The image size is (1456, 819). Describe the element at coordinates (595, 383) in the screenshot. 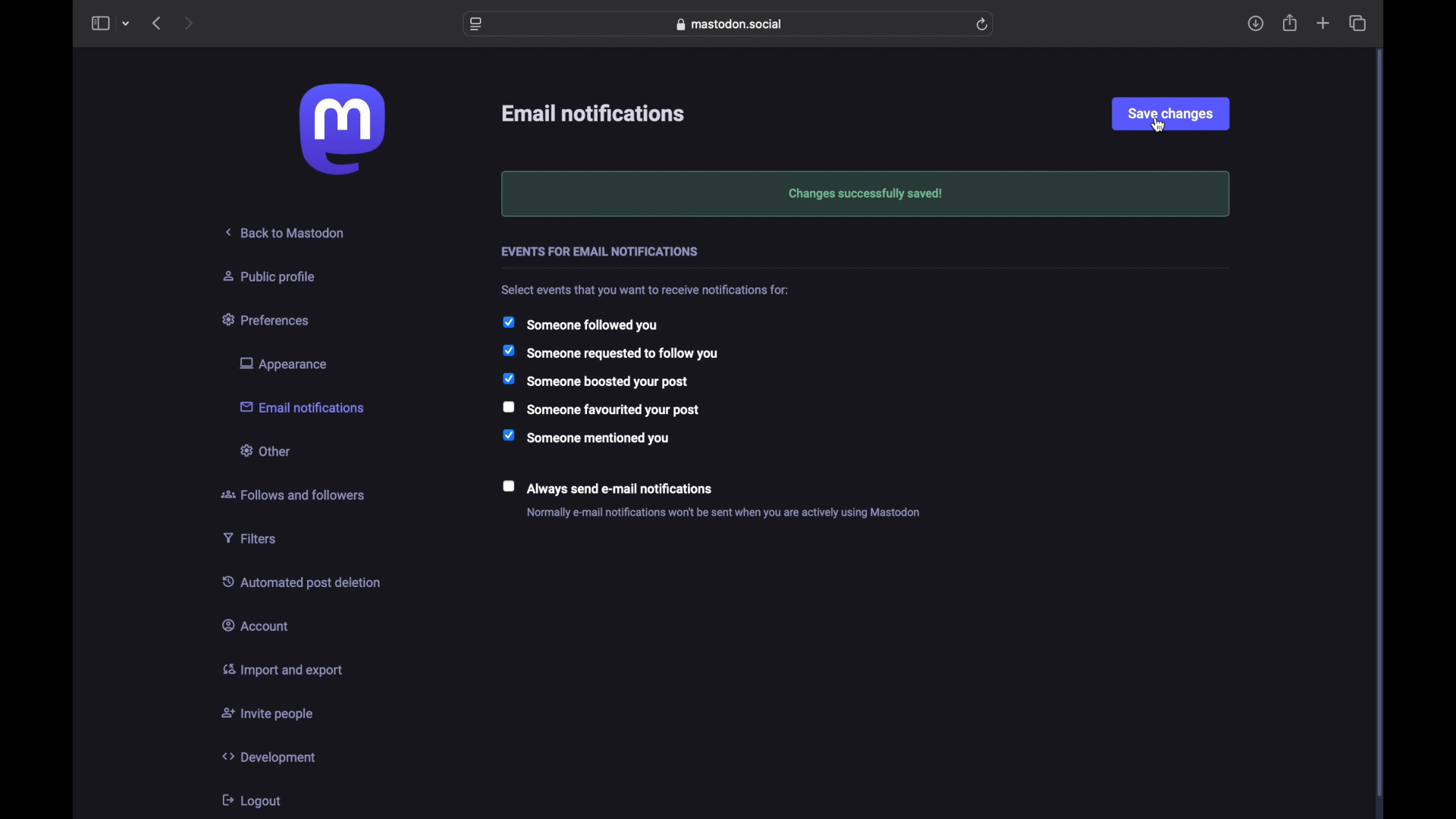

I see `checkbox` at that location.